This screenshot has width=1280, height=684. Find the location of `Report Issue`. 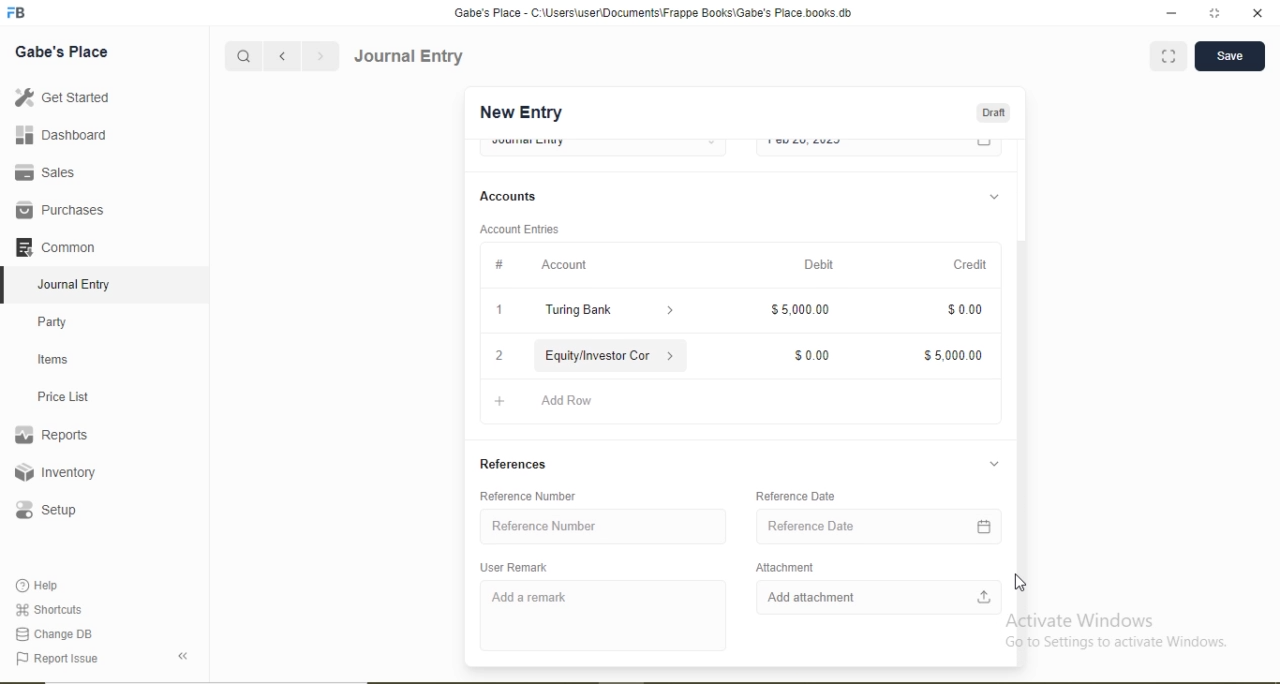

Report Issue is located at coordinates (56, 659).